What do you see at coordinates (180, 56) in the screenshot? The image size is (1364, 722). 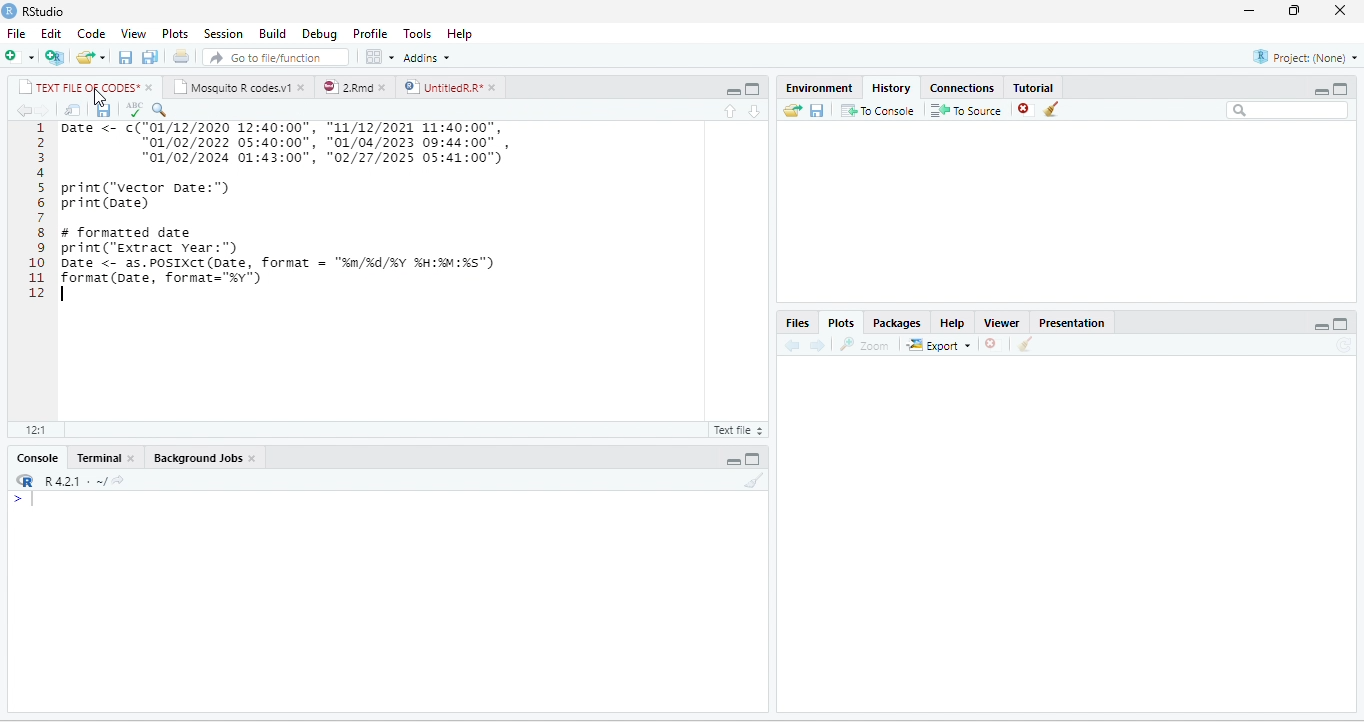 I see `print` at bounding box center [180, 56].